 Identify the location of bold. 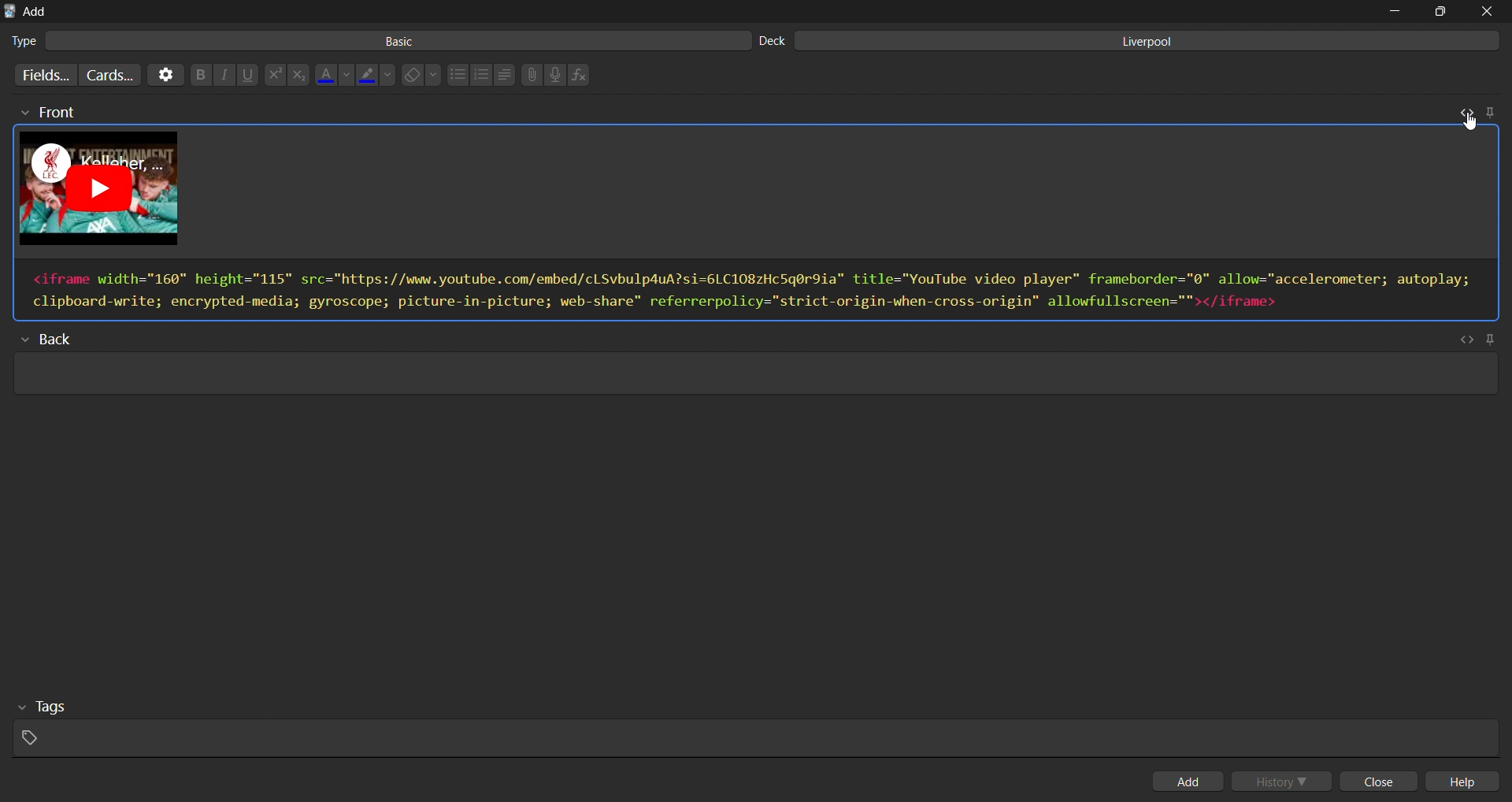
(198, 76).